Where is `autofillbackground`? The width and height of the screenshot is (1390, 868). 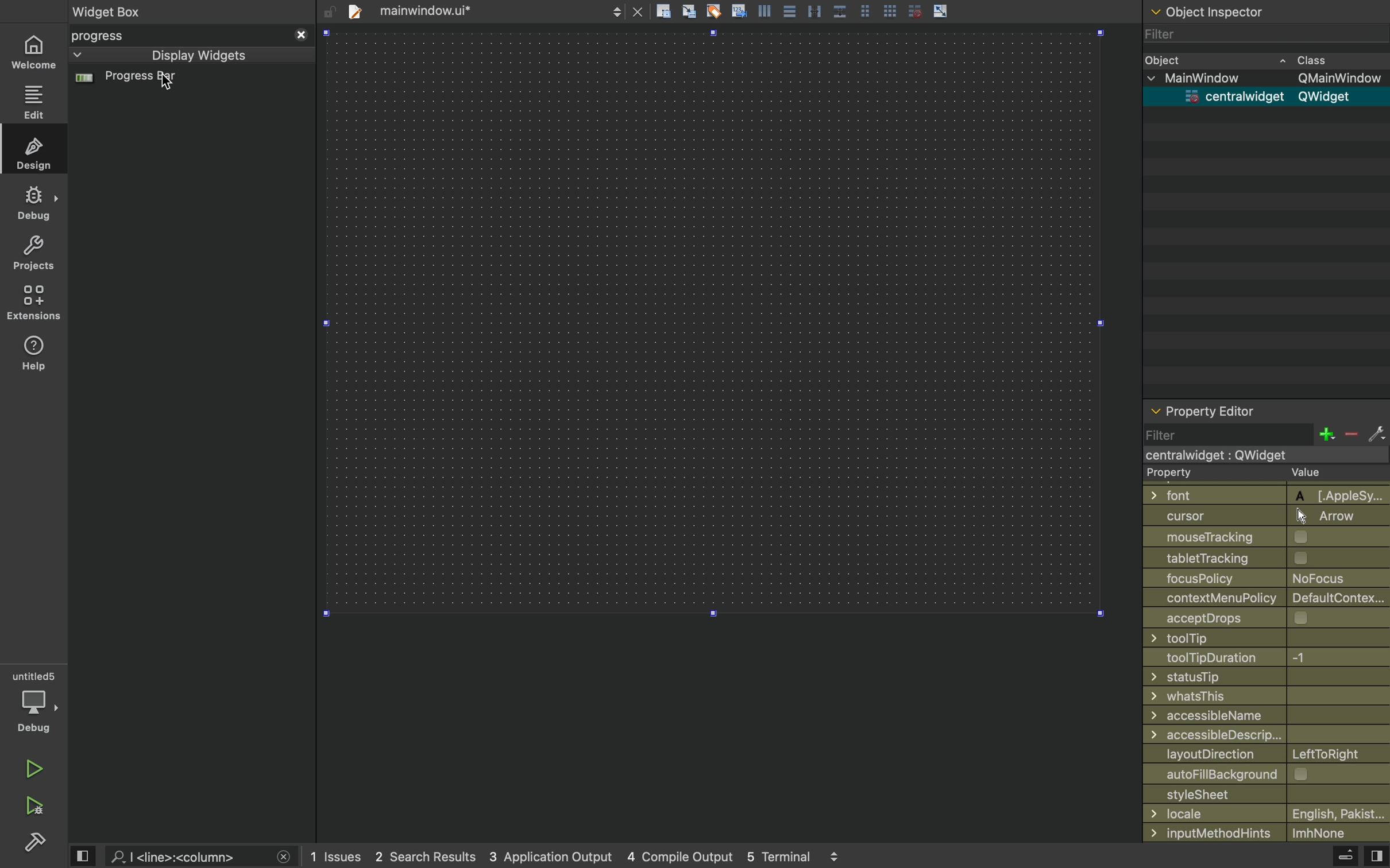 autofillbackground is located at coordinates (1269, 774).